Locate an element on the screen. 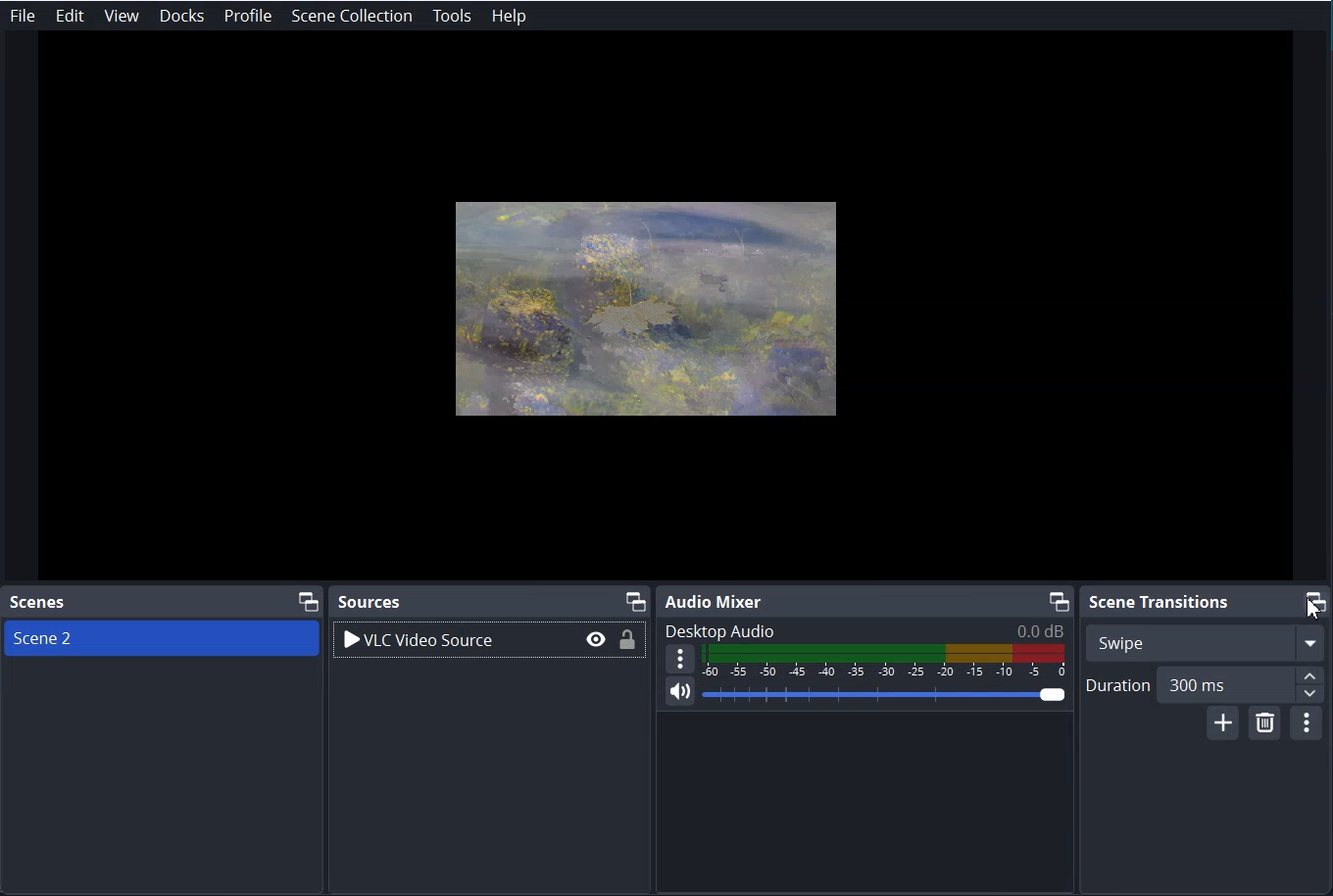 The image size is (1333, 896). Edit is located at coordinates (69, 16).